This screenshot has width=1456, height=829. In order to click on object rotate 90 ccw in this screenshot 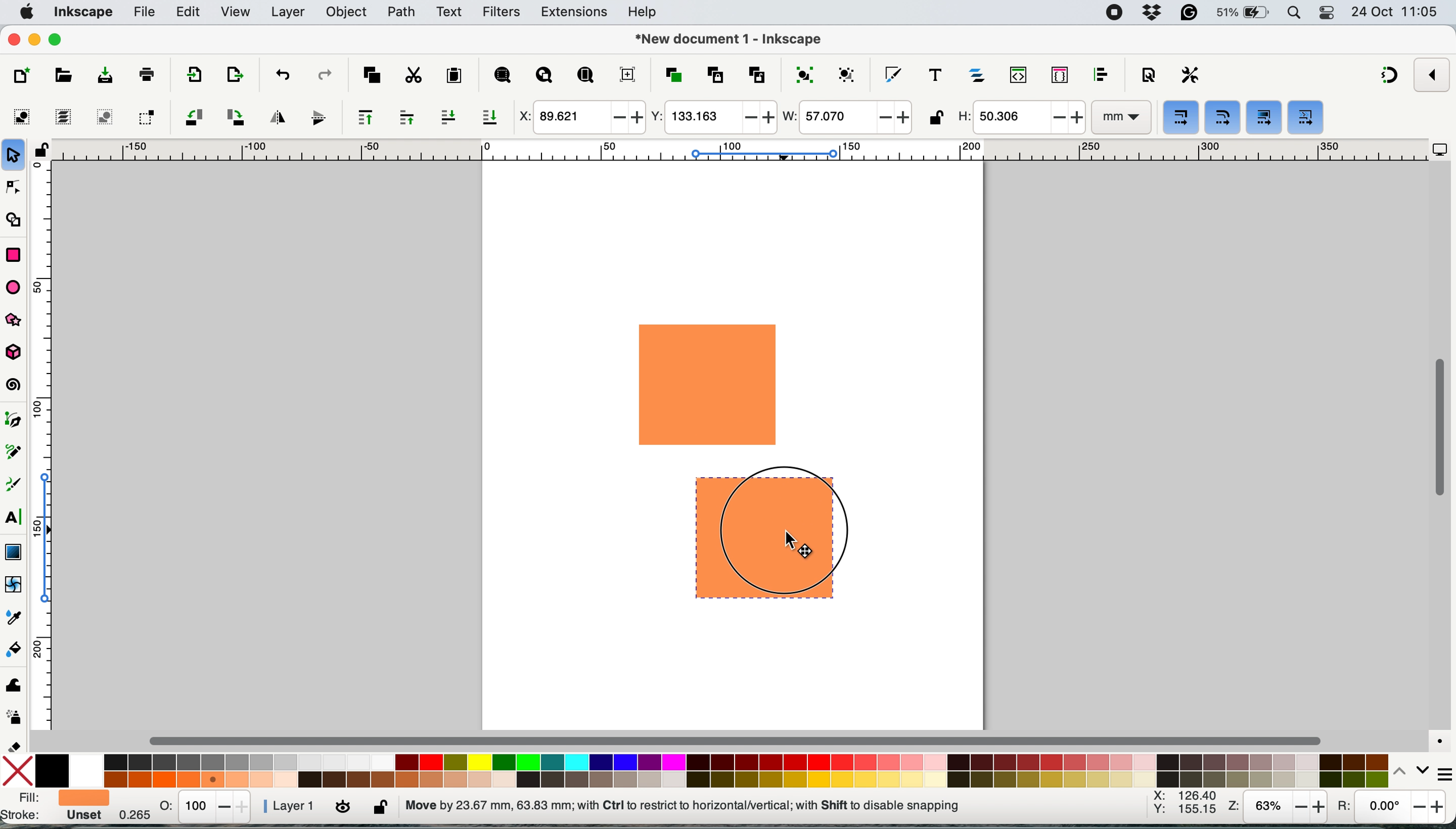, I will do `click(192, 118)`.